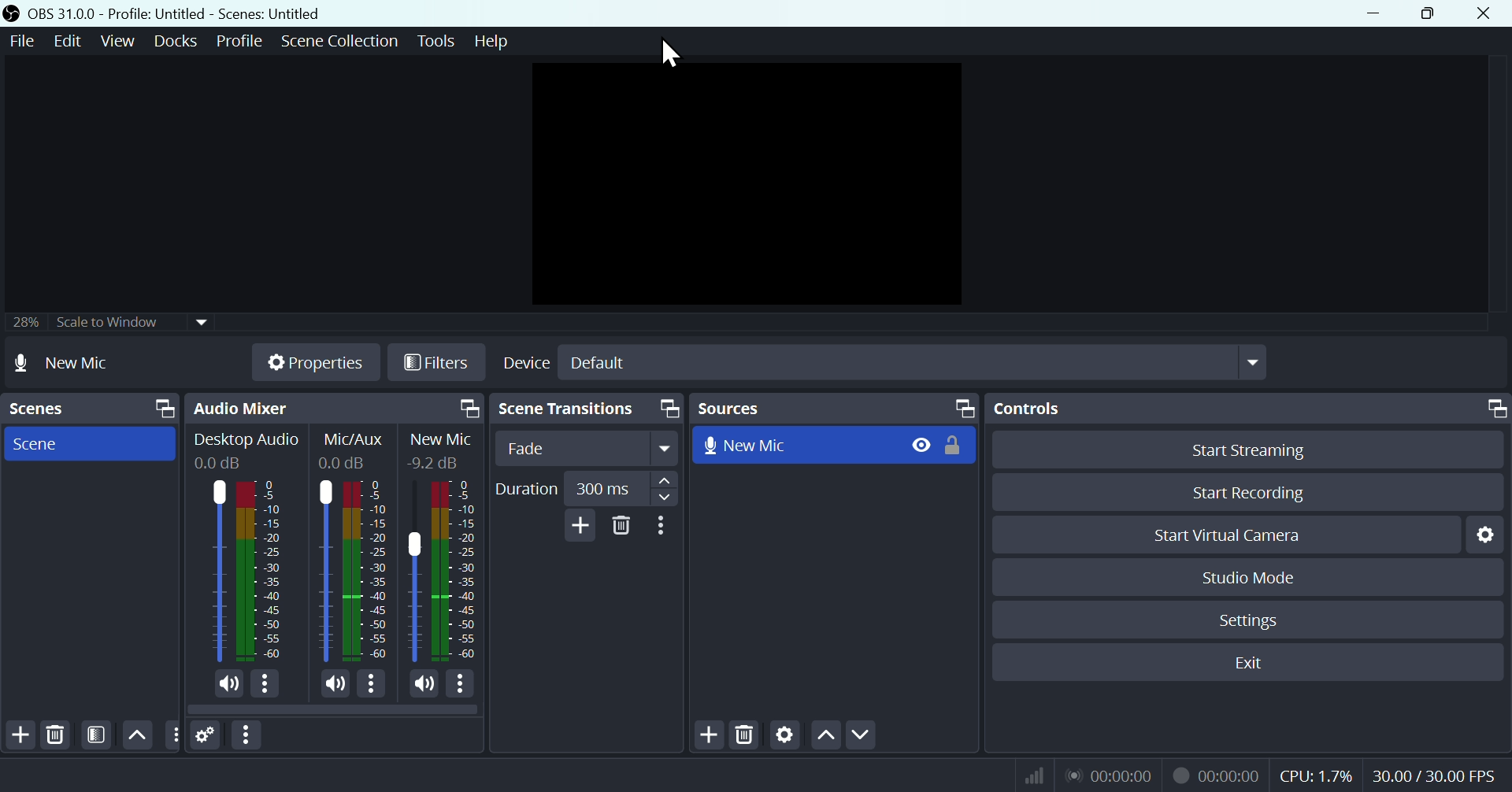 The image size is (1512, 792). What do you see at coordinates (834, 408) in the screenshot?
I see `Sources` at bounding box center [834, 408].